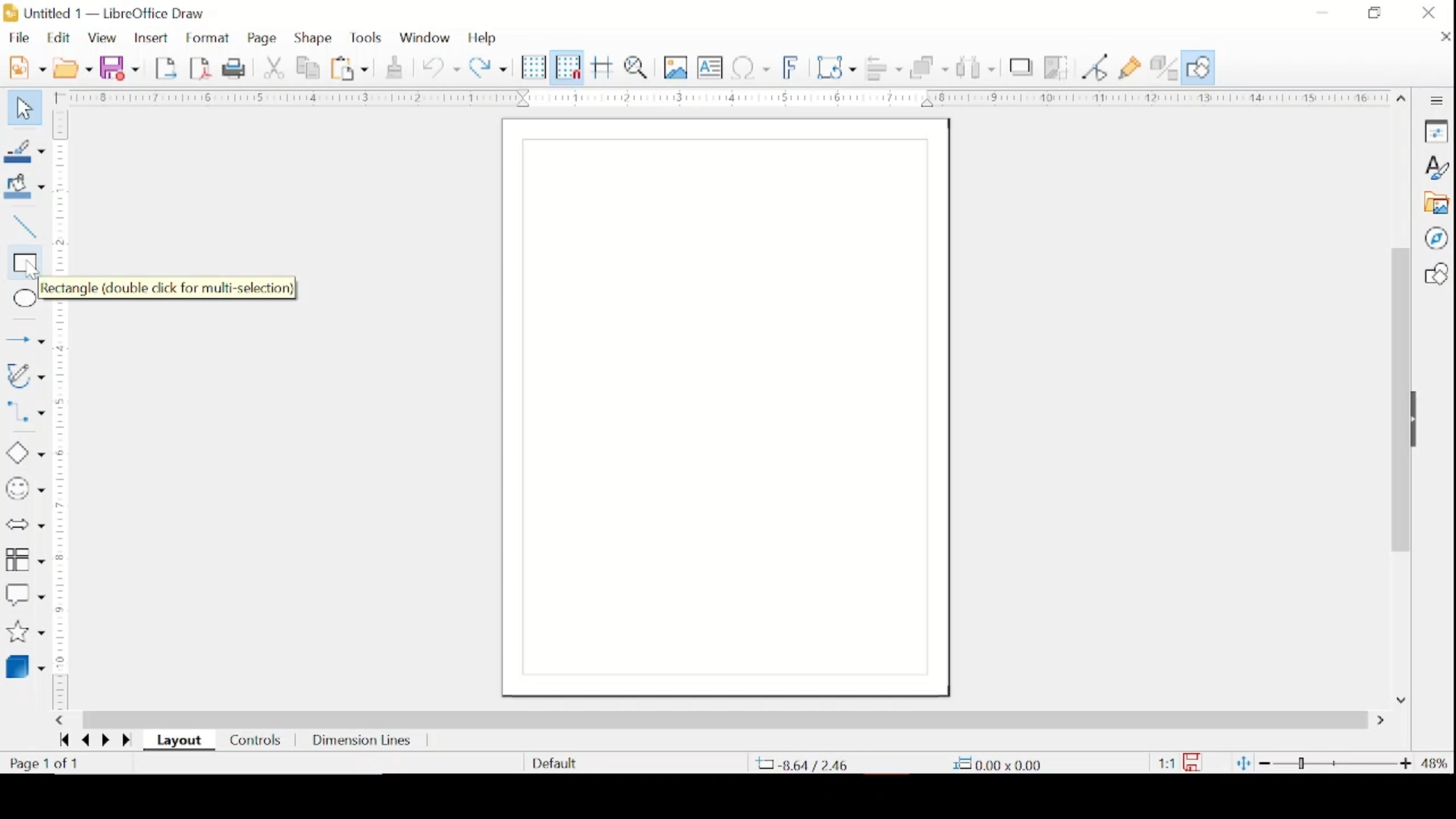  What do you see at coordinates (1436, 274) in the screenshot?
I see `shapes` at bounding box center [1436, 274].